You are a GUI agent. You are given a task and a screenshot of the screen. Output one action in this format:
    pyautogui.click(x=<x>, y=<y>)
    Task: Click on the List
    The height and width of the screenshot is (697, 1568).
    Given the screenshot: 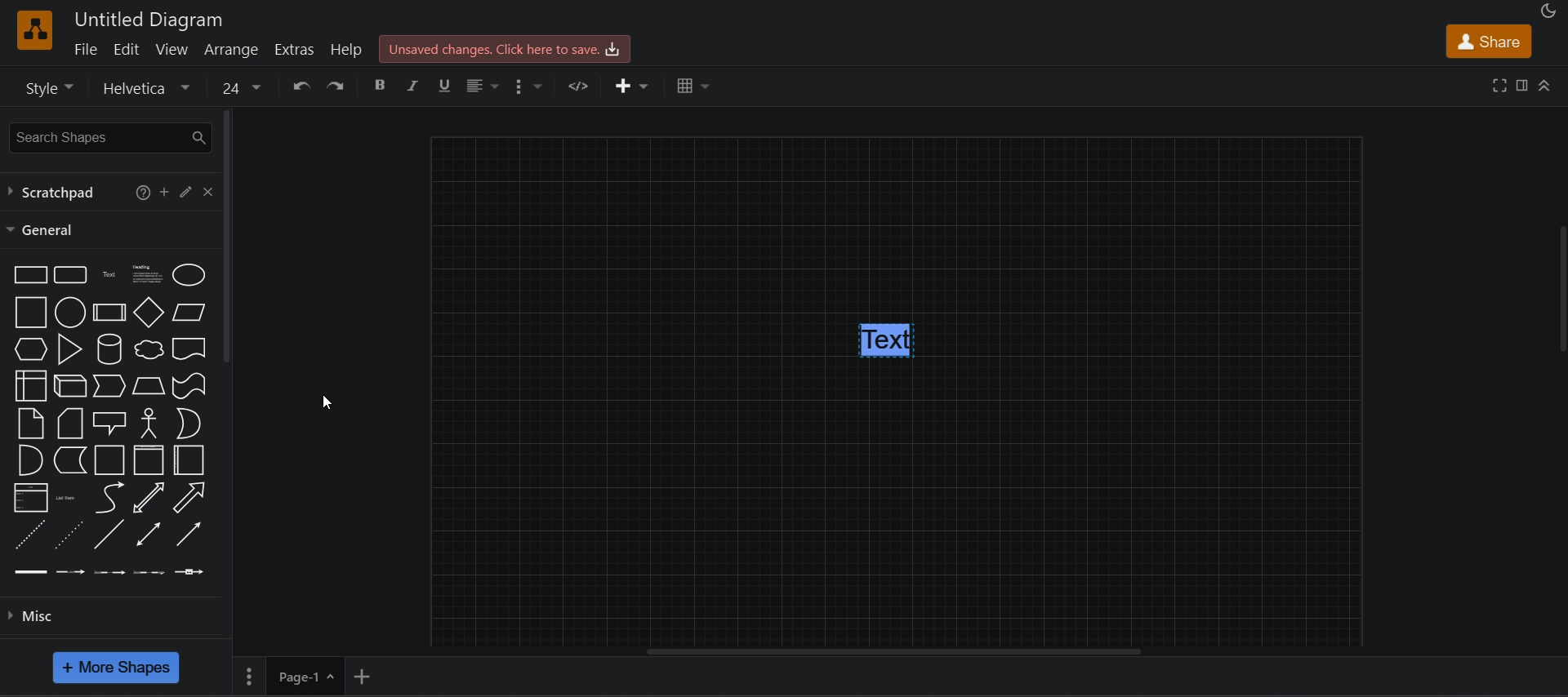 What is the action you would take?
    pyautogui.click(x=31, y=498)
    